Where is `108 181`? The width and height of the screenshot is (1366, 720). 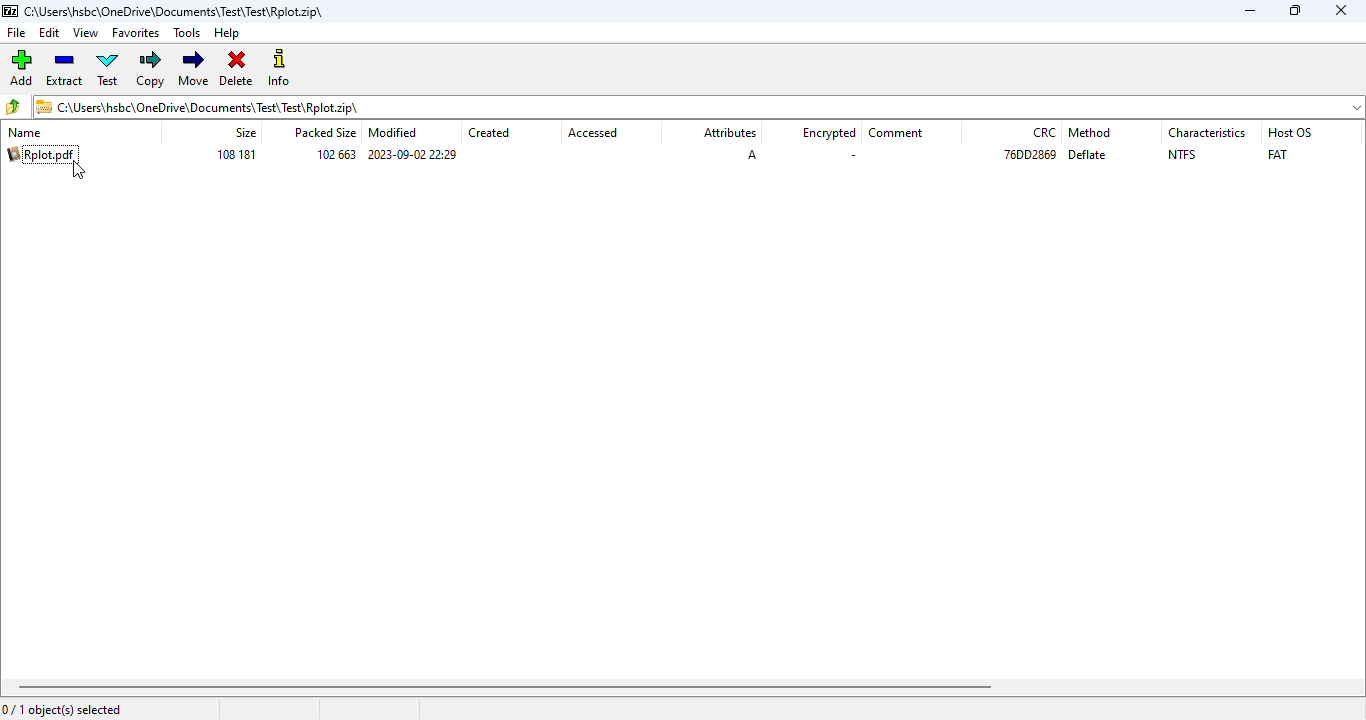
108 181 is located at coordinates (236, 155).